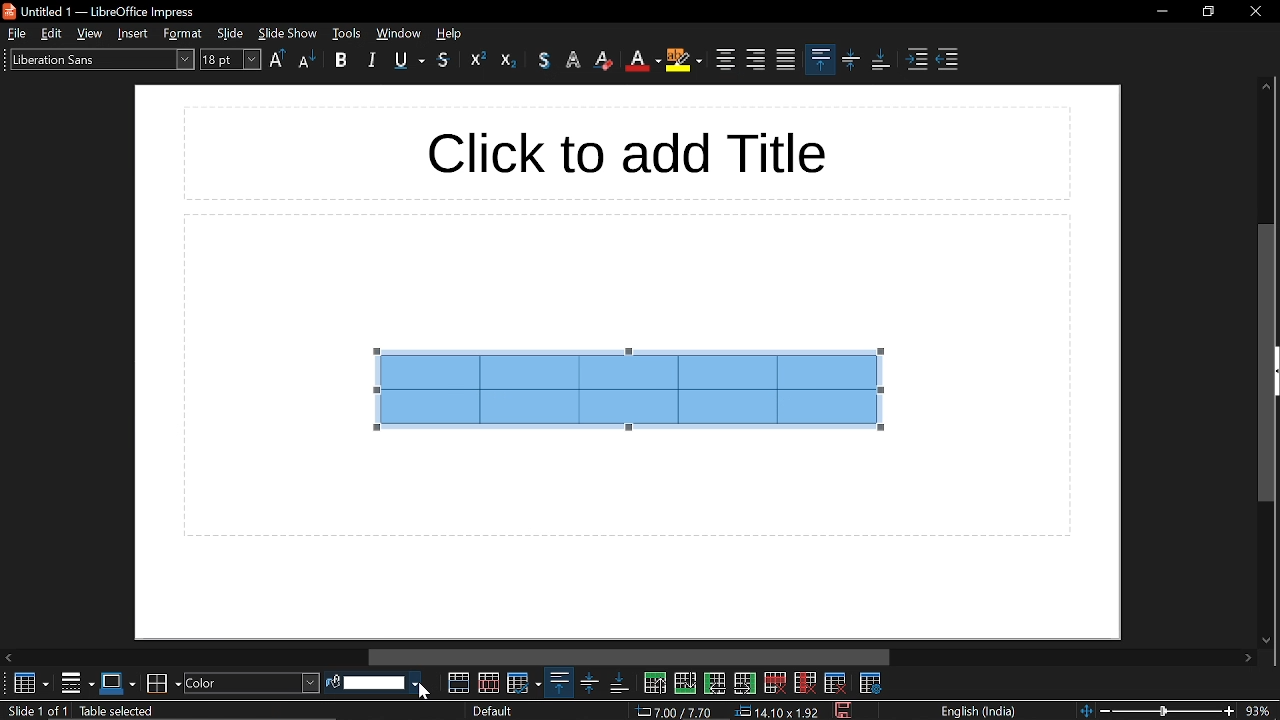  I want to click on current zoom, so click(1263, 710).